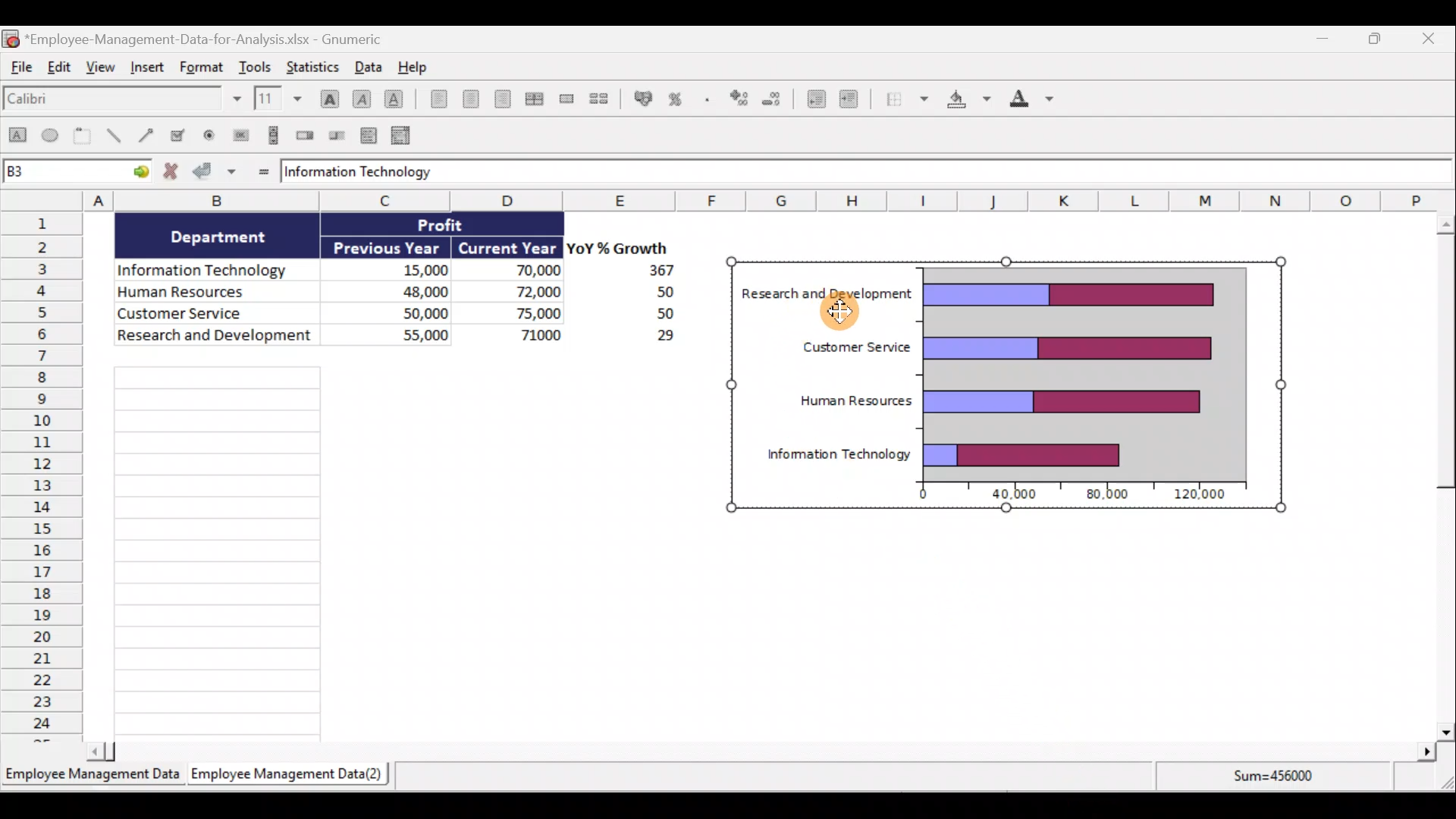  What do you see at coordinates (174, 172) in the screenshot?
I see `Cancel change` at bounding box center [174, 172].